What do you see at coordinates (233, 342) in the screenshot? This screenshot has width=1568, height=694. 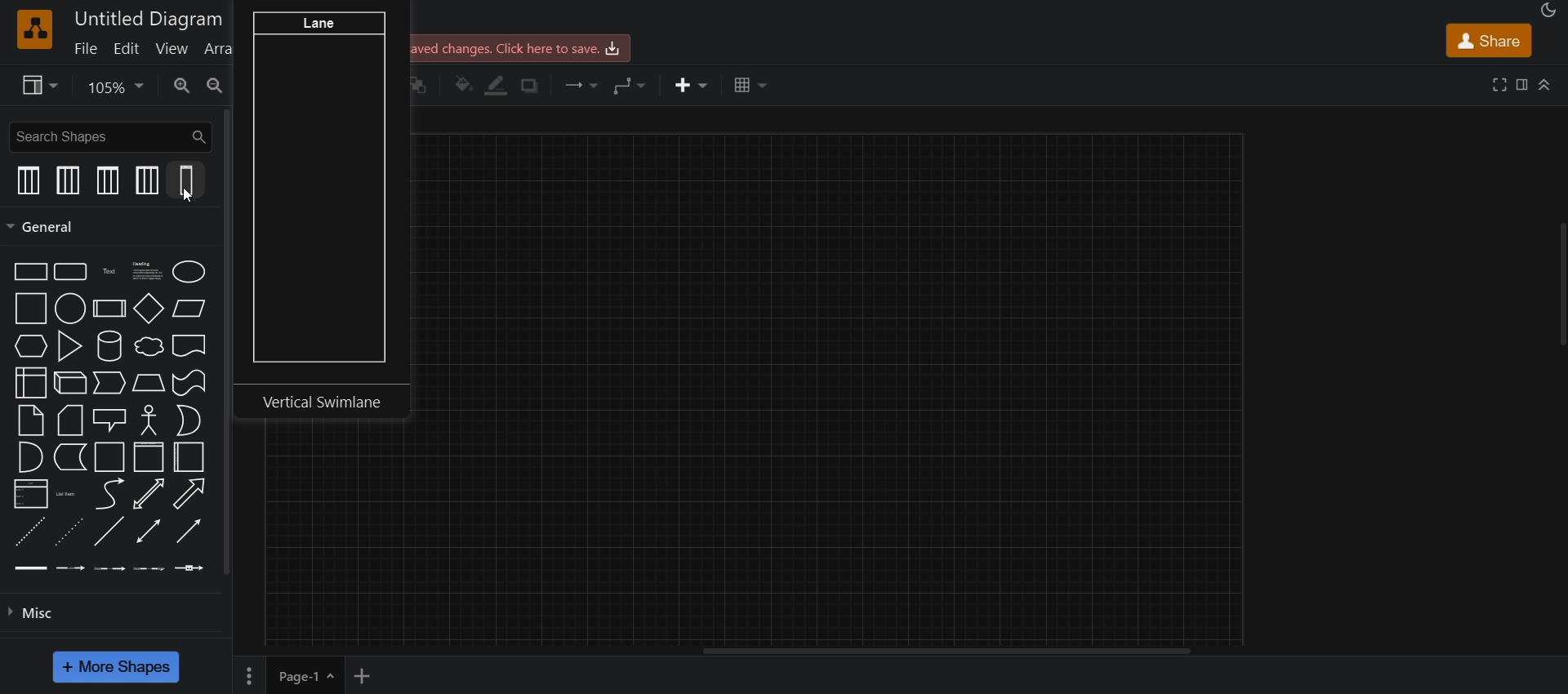 I see `vertical scroll bar` at bounding box center [233, 342].